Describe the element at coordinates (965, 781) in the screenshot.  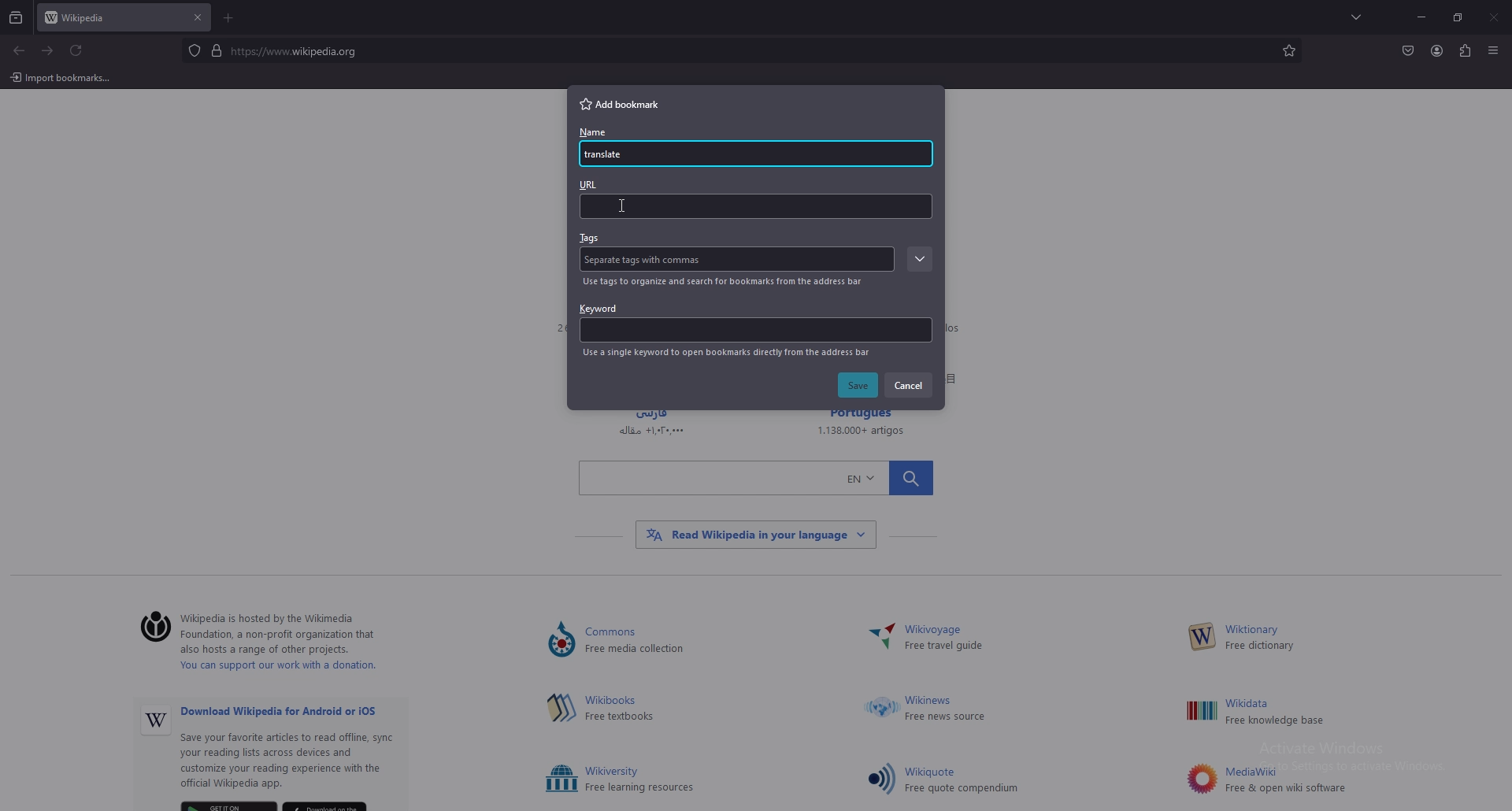
I see `` at that location.